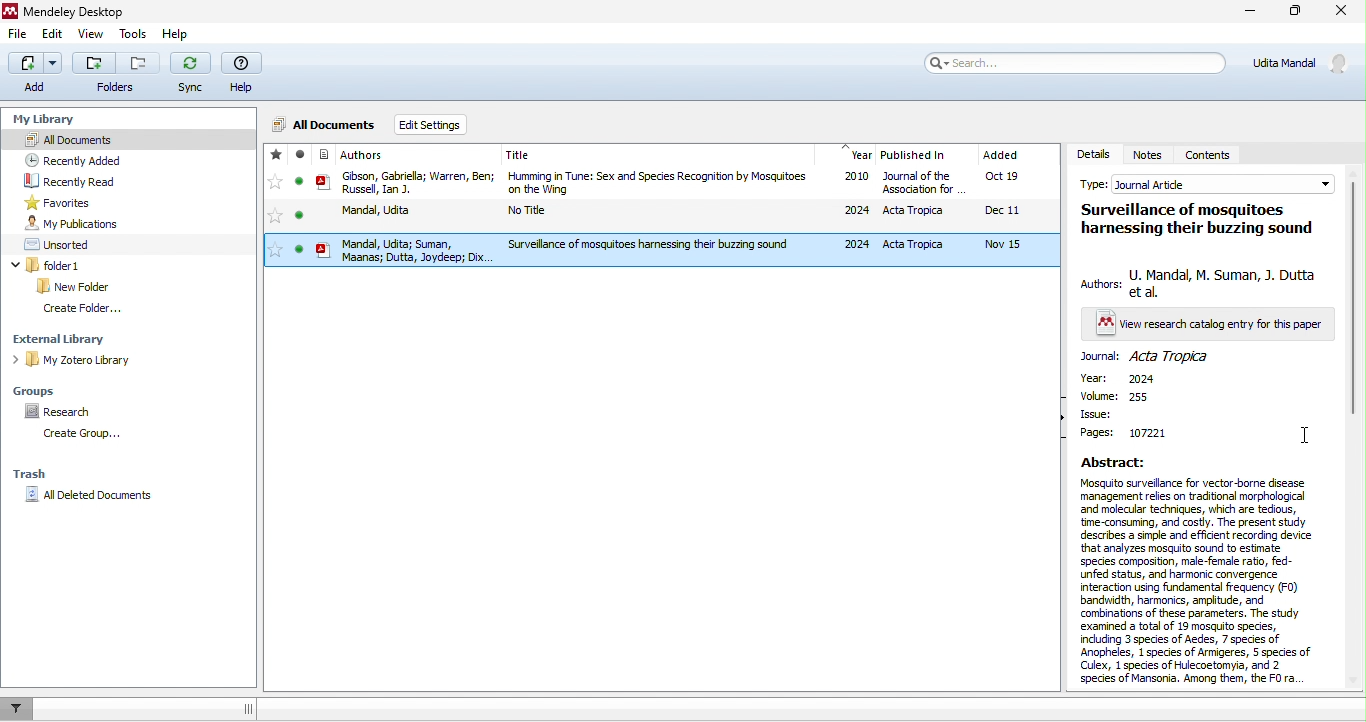 This screenshot has height=722, width=1366. Describe the element at coordinates (1125, 396) in the screenshot. I see `volume:255` at that location.